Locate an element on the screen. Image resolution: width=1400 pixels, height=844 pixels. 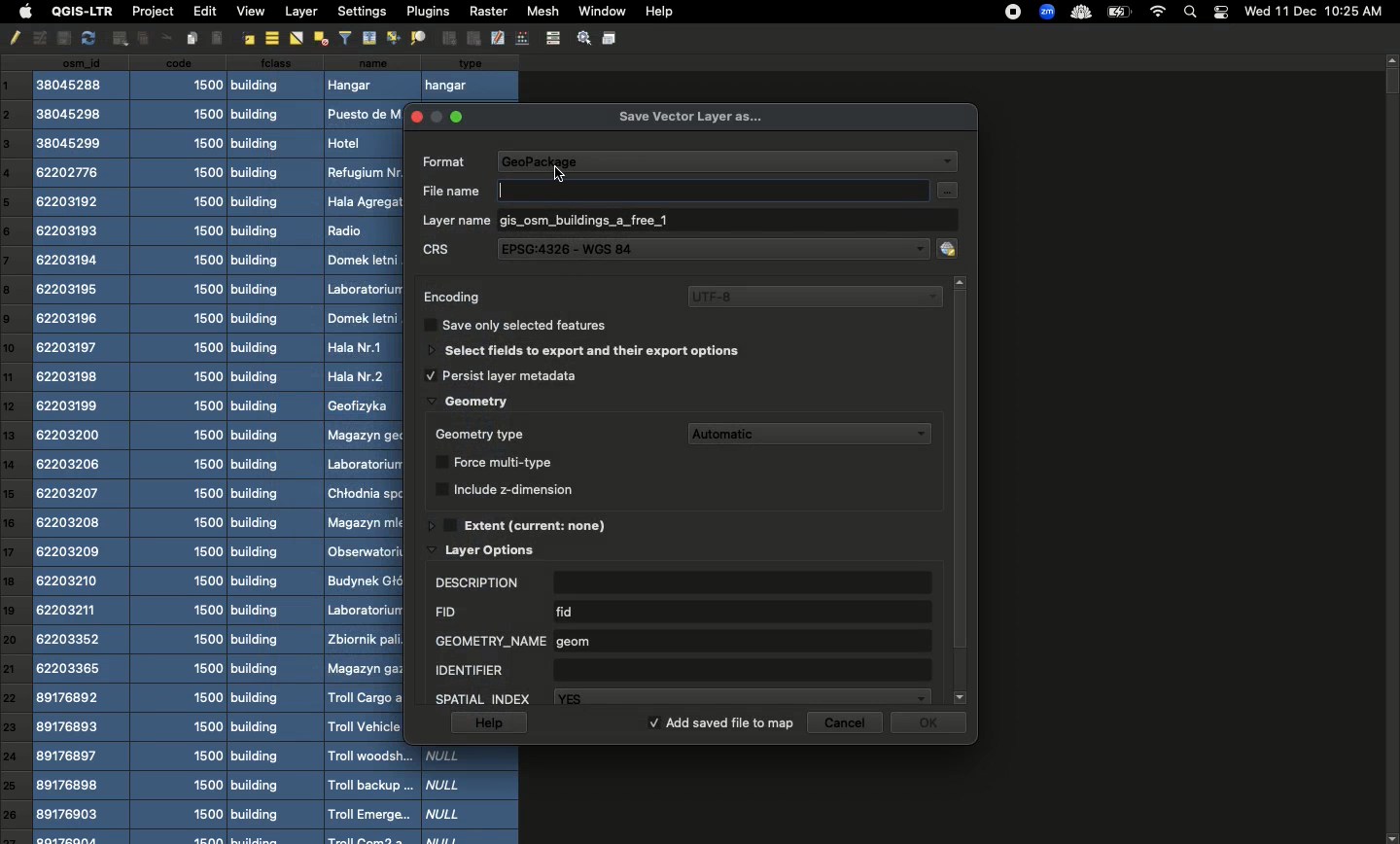
EPSG is located at coordinates (724, 248).